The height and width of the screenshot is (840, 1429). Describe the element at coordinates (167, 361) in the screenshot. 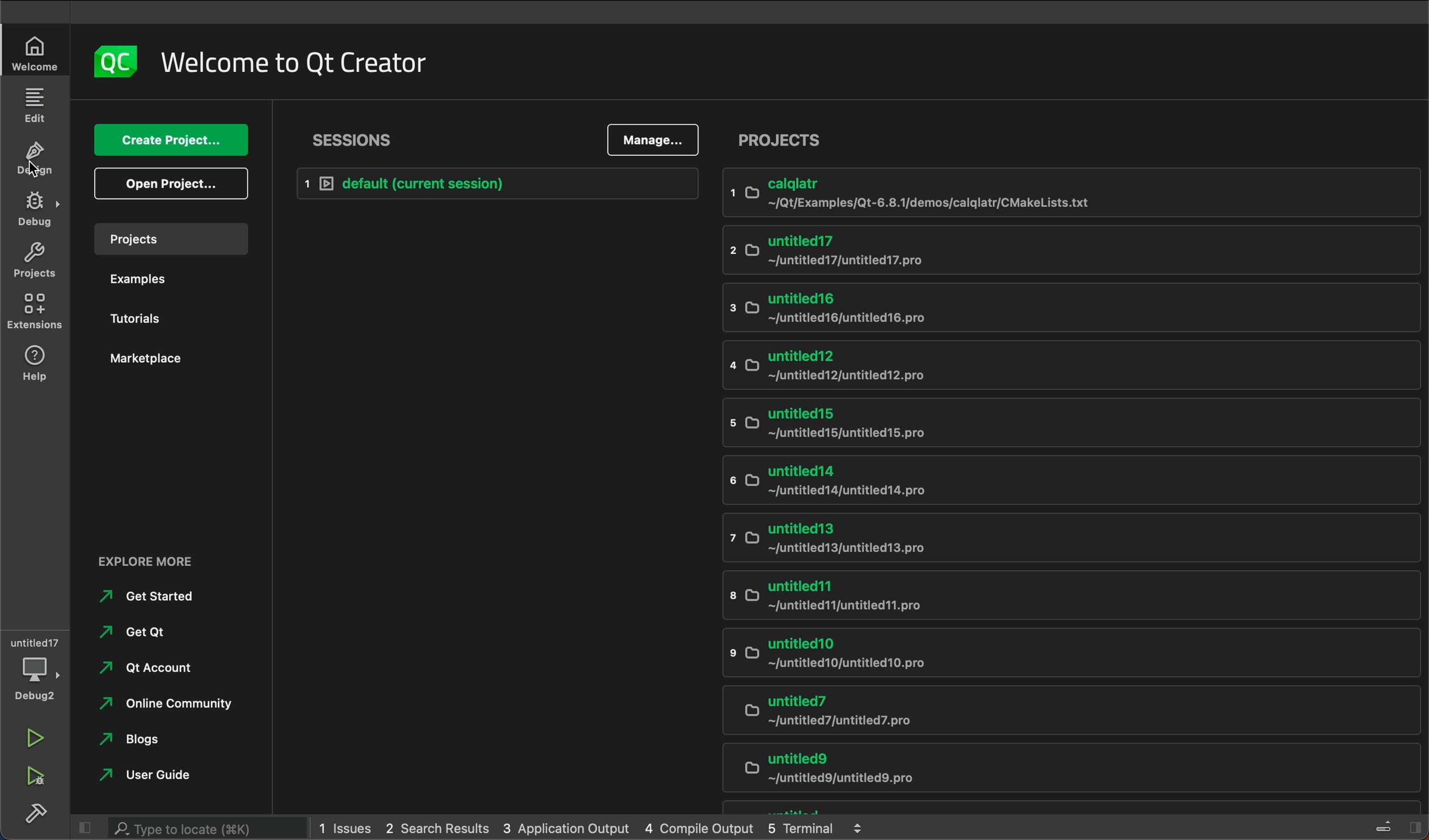

I see `marketplace` at that location.